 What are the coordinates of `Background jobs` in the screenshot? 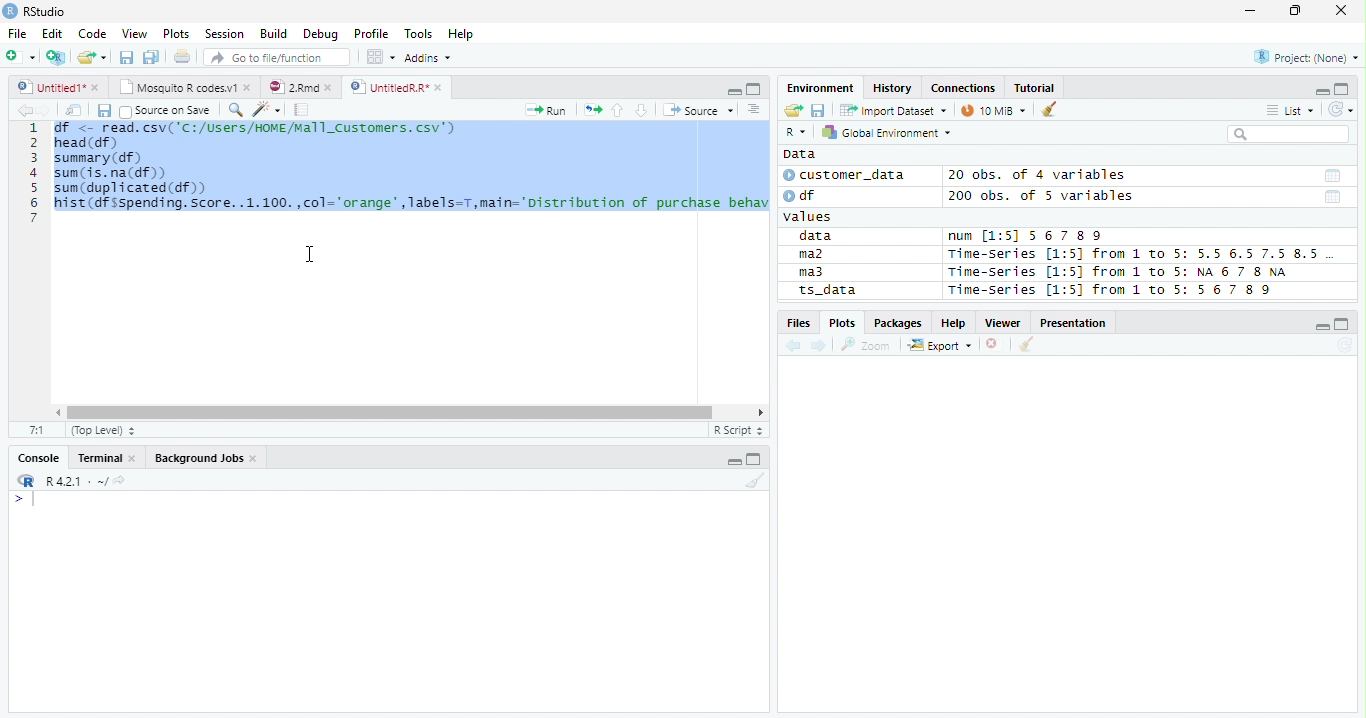 It's located at (206, 460).